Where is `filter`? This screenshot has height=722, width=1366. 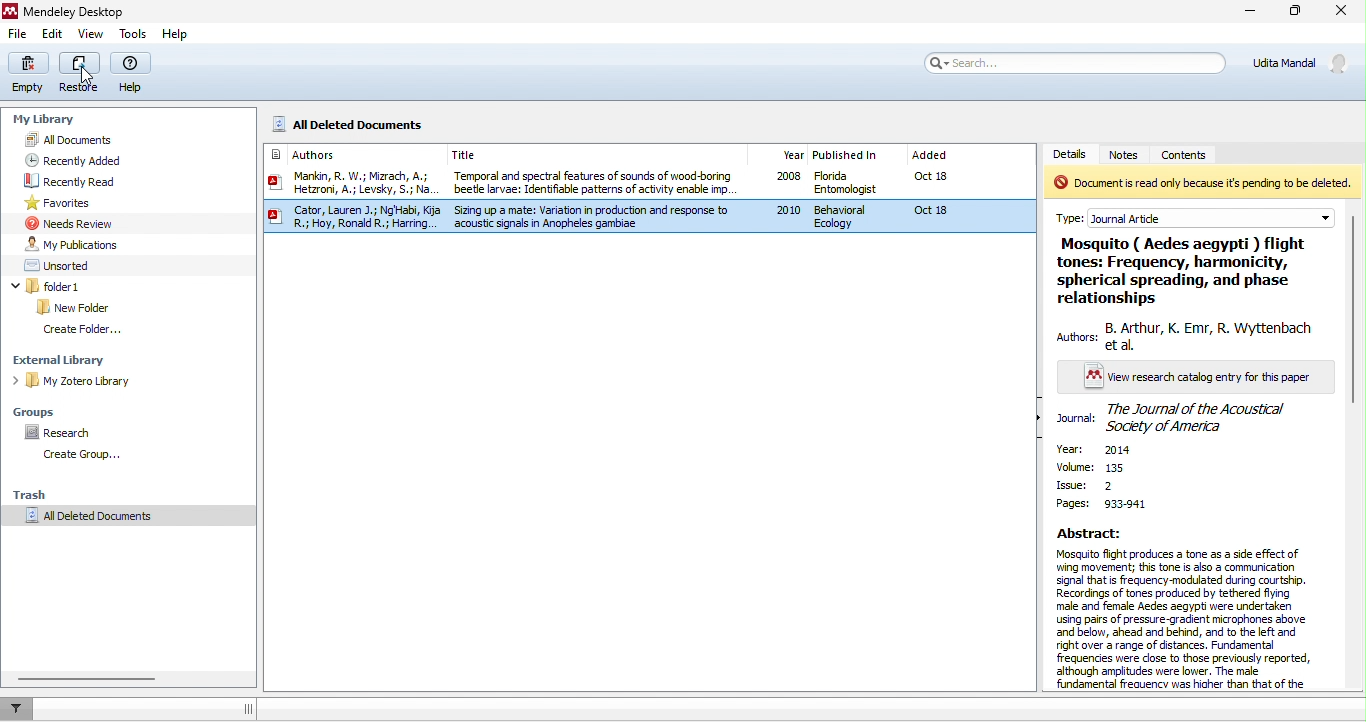
filter is located at coordinates (15, 708).